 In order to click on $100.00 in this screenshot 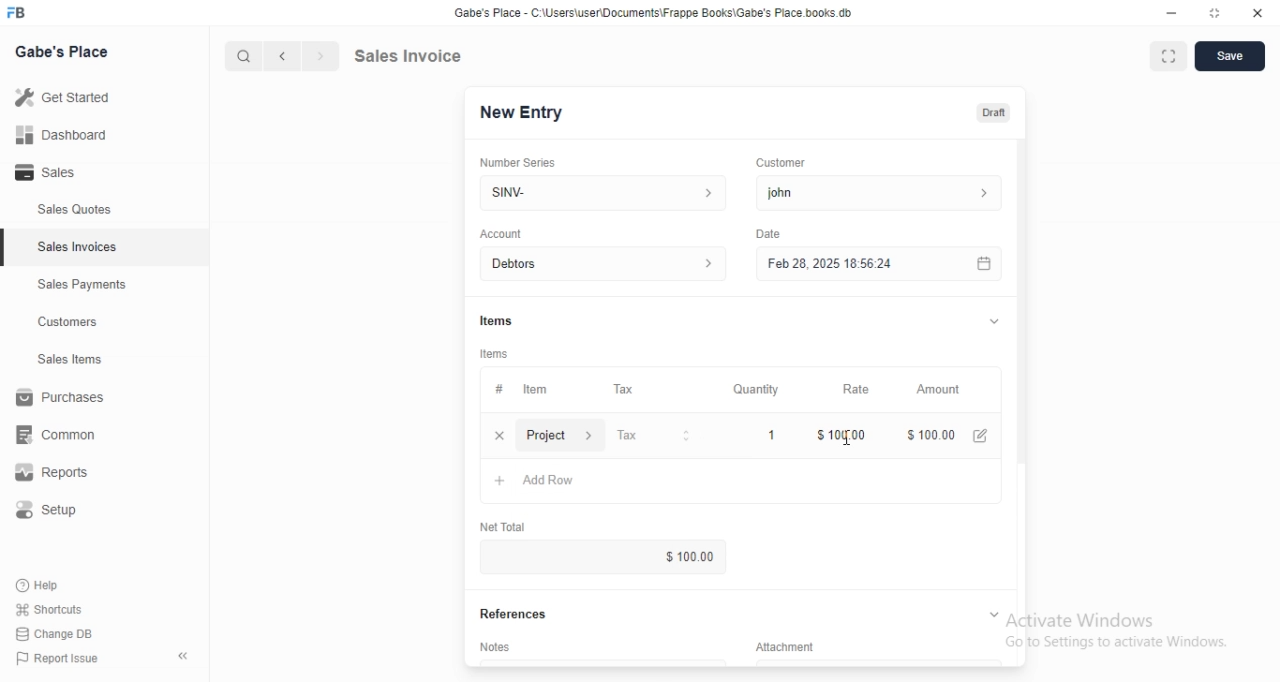, I will do `click(842, 434)`.